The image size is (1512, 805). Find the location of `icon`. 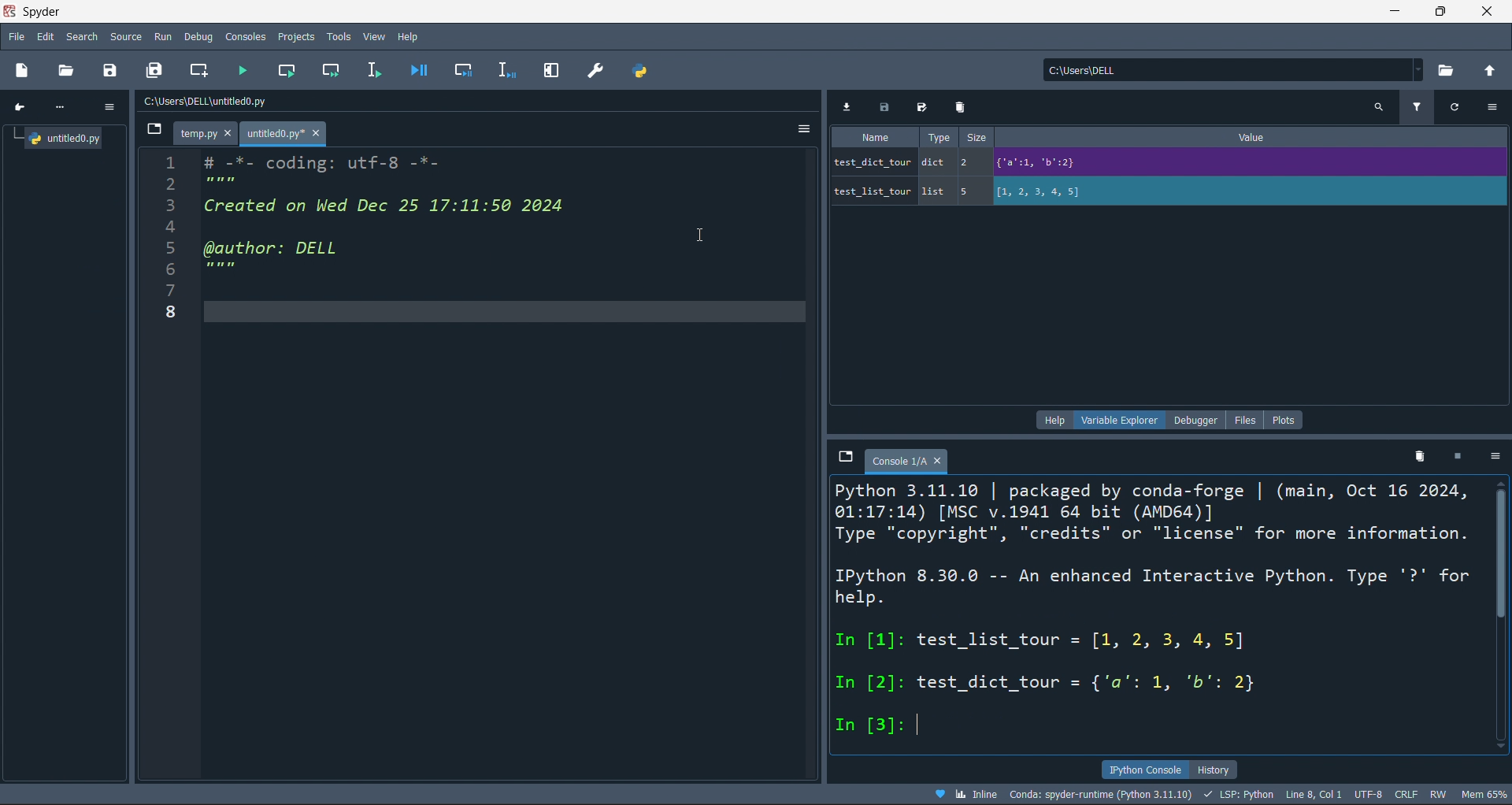

icon is located at coordinates (20, 106).